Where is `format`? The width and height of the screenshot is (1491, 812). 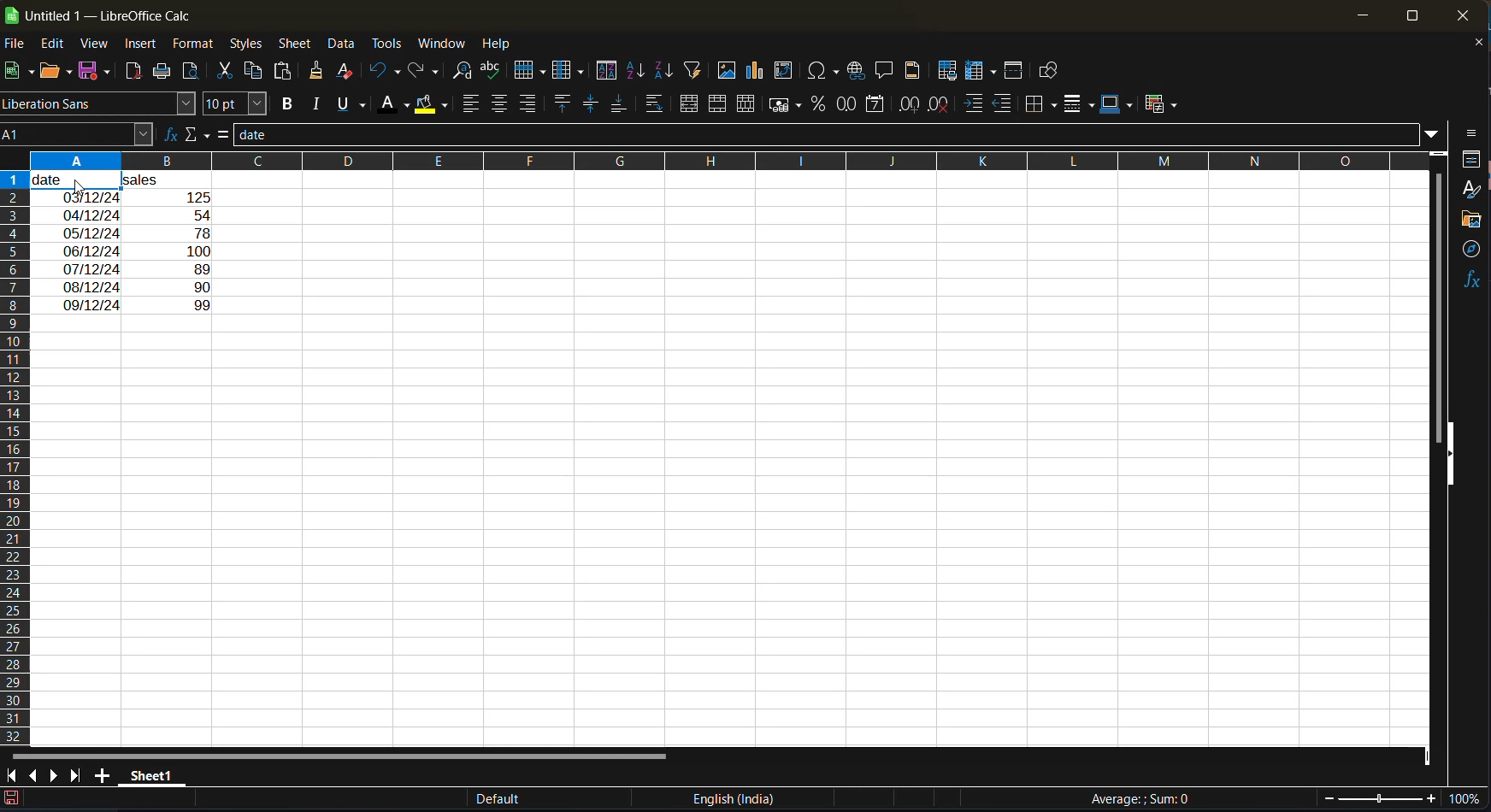 format is located at coordinates (195, 47).